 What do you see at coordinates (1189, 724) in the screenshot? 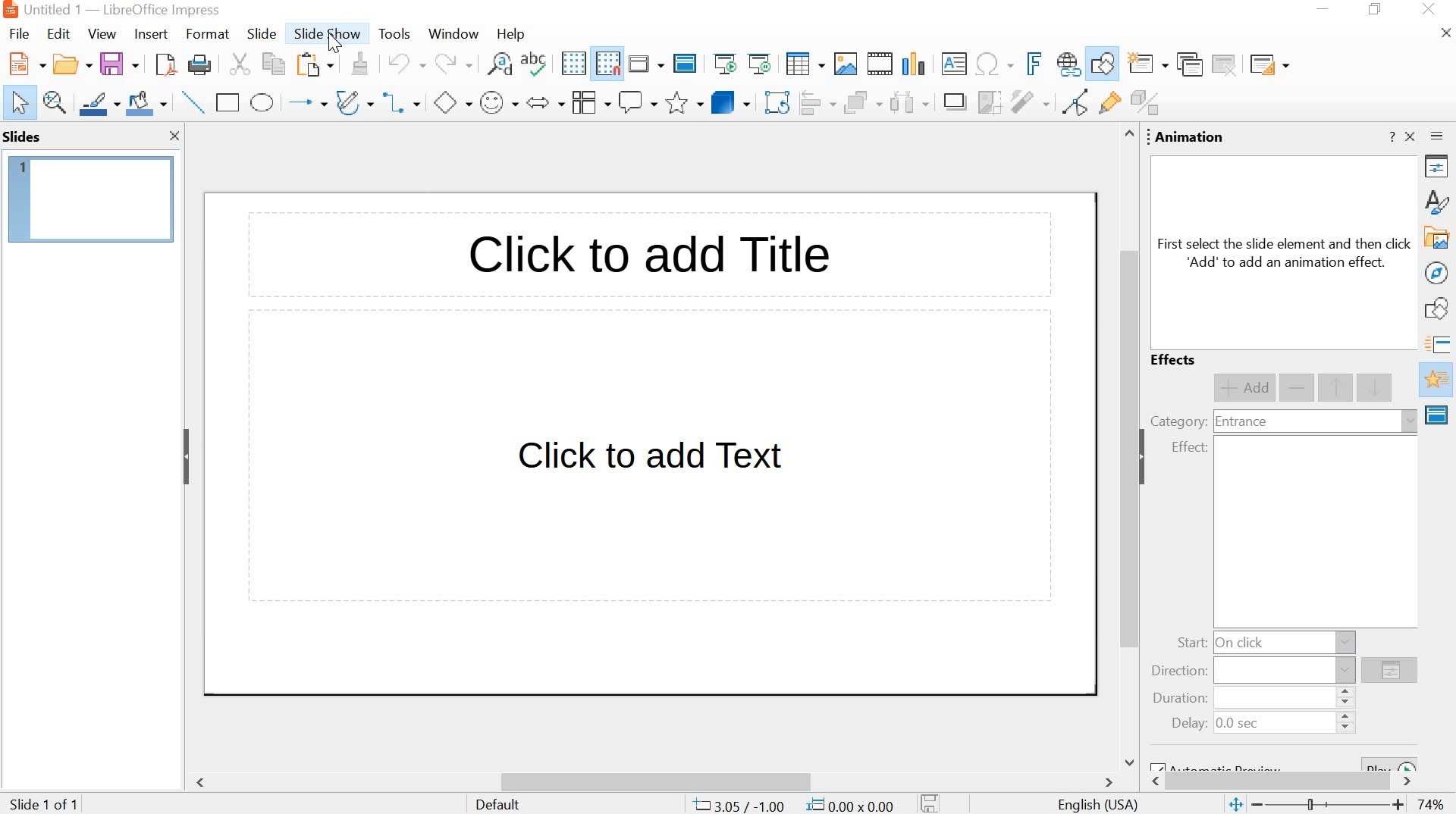
I see `delay` at bounding box center [1189, 724].